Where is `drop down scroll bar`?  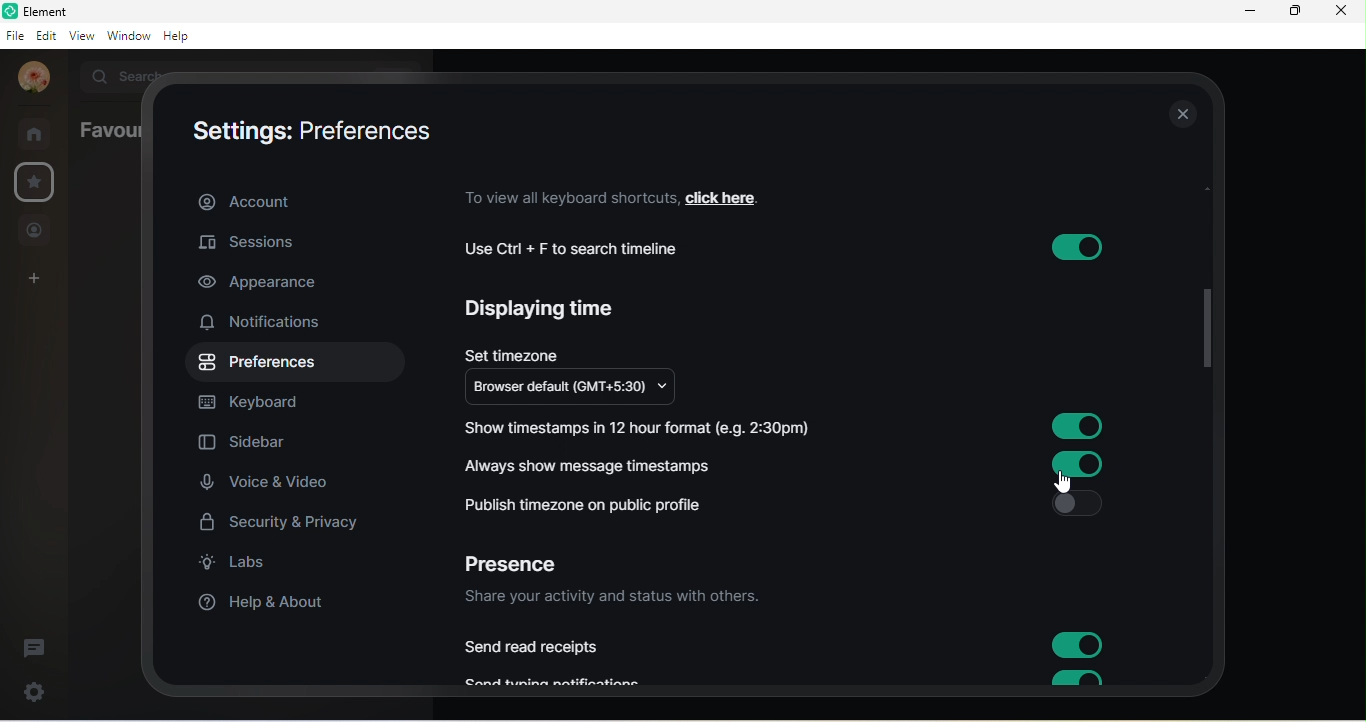 drop down scroll bar is located at coordinates (1203, 325).